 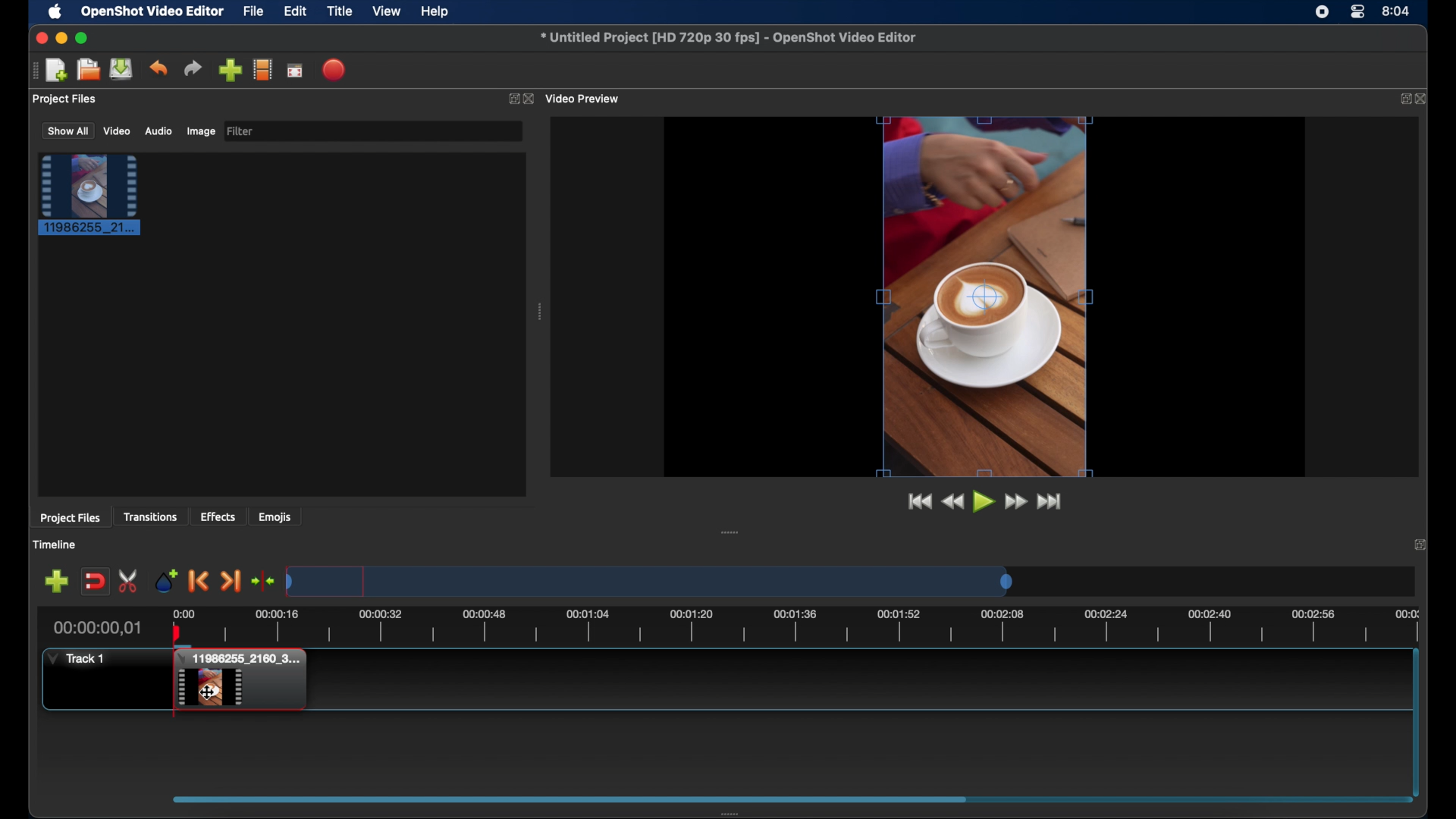 What do you see at coordinates (159, 68) in the screenshot?
I see `undo` at bounding box center [159, 68].